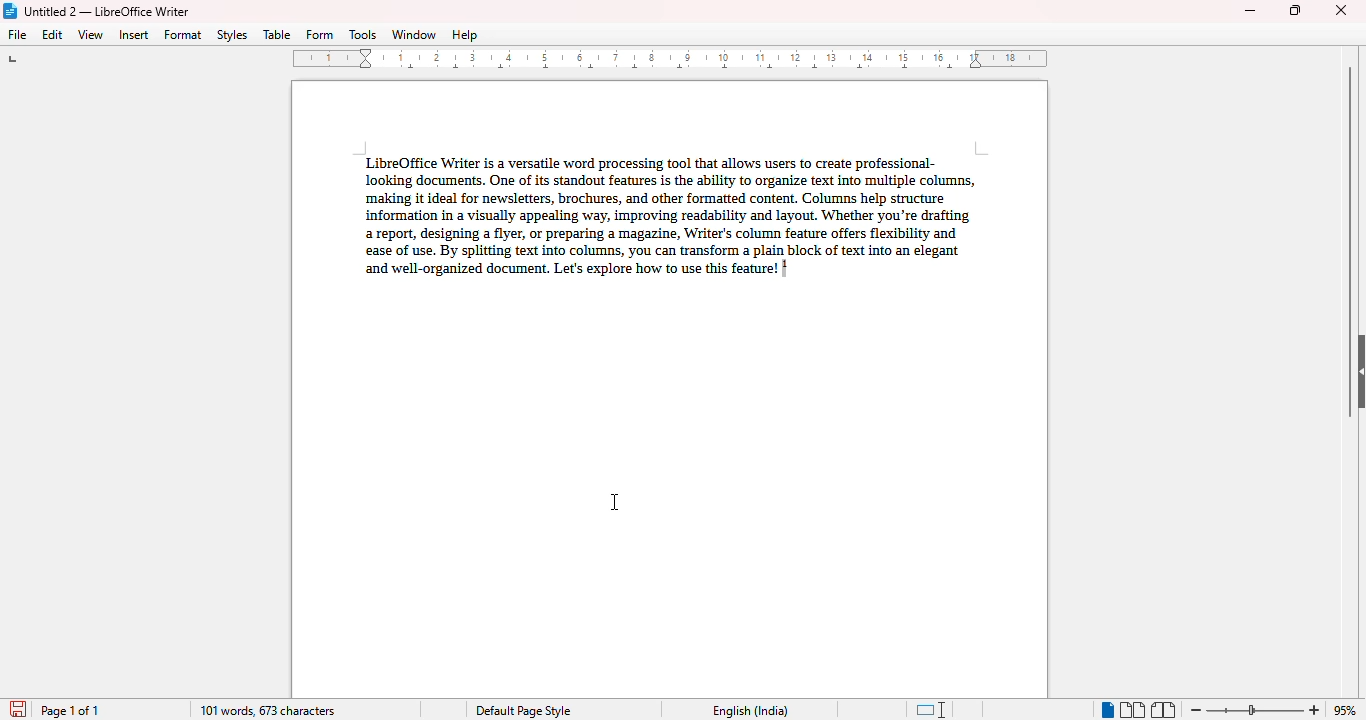 The image size is (1366, 720). Describe the element at coordinates (1133, 710) in the screenshot. I see `multi-page view` at that location.